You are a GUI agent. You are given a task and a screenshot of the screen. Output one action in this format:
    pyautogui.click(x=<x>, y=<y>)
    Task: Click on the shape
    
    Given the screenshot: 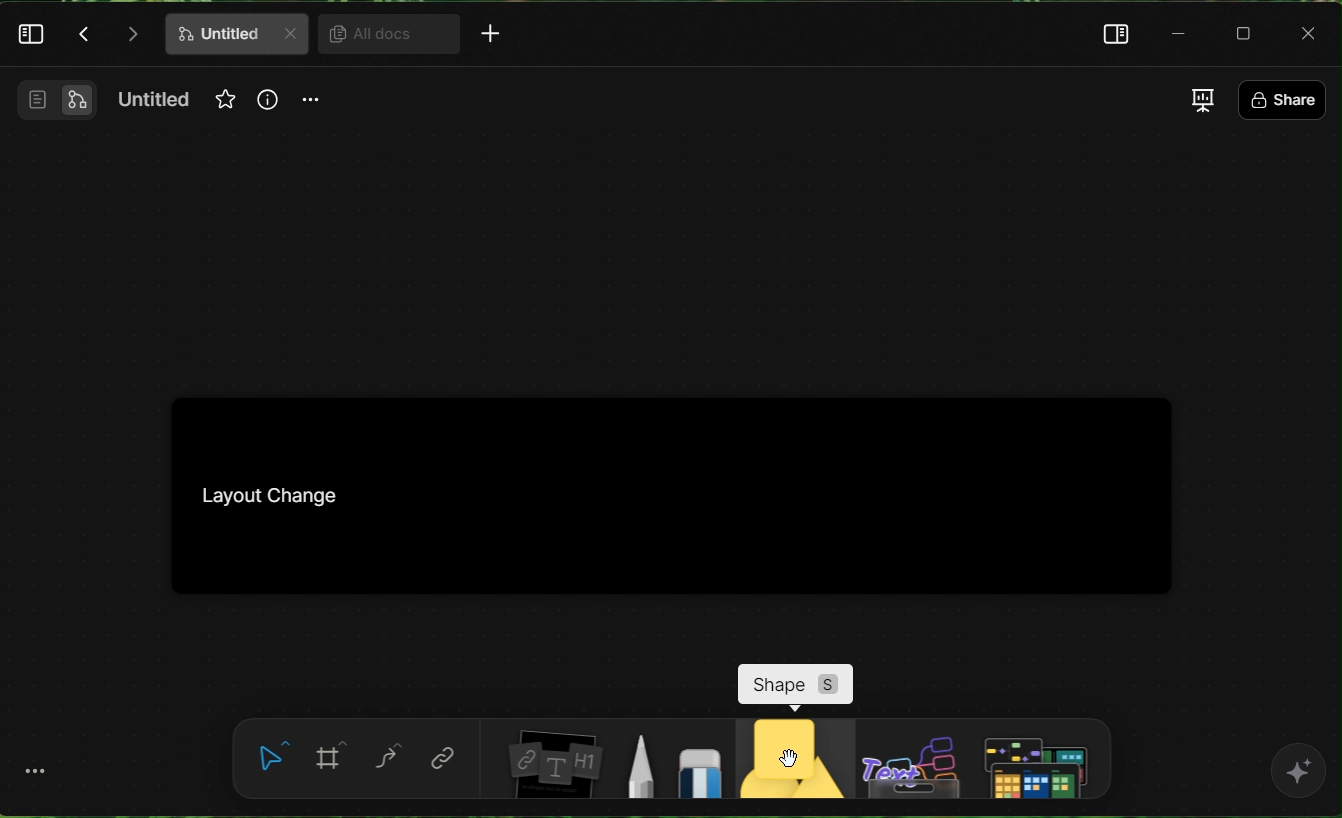 What is the action you would take?
    pyautogui.click(x=789, y=760)
    